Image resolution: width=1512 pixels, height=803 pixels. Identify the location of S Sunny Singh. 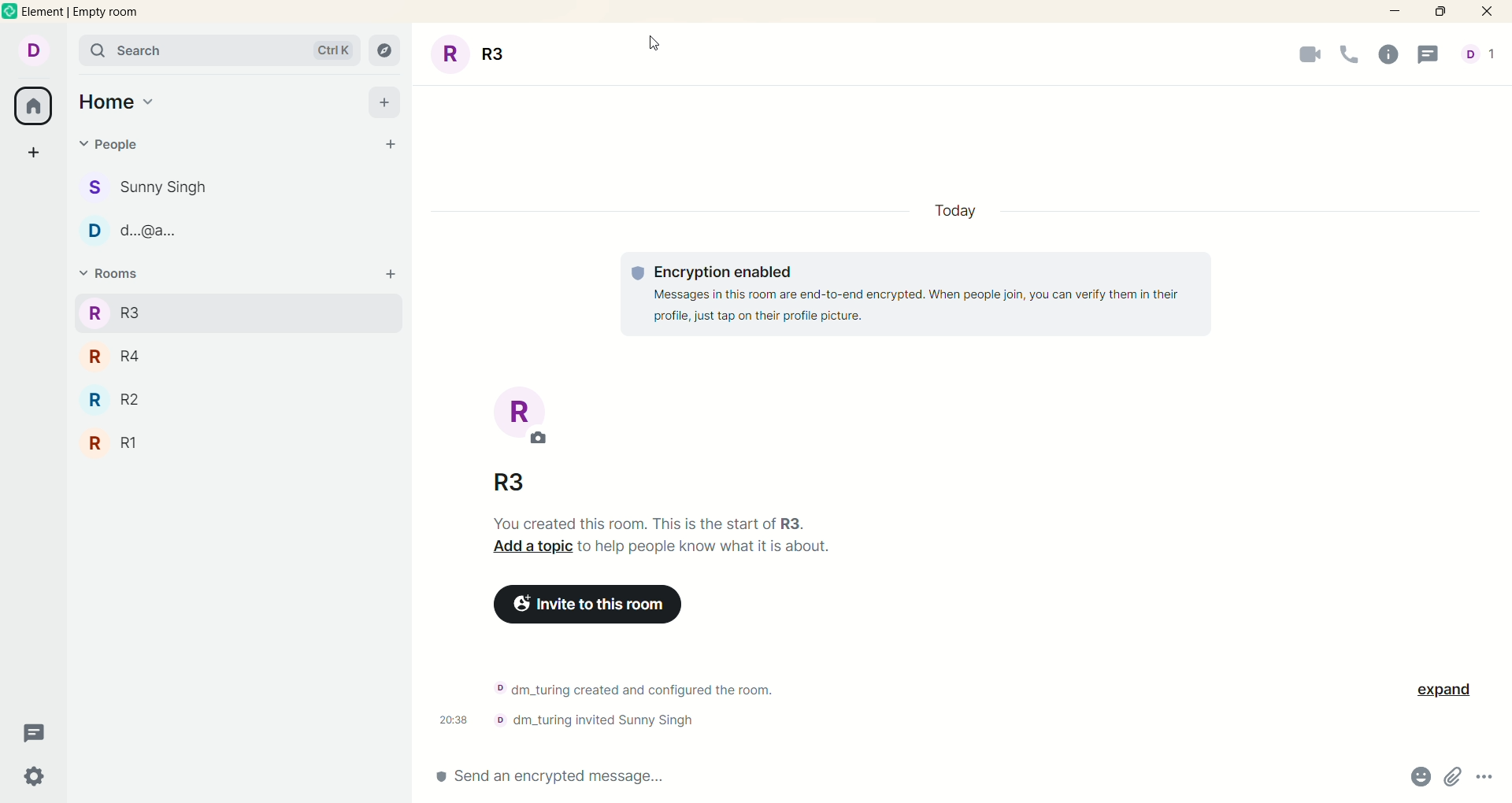
(150, 191).